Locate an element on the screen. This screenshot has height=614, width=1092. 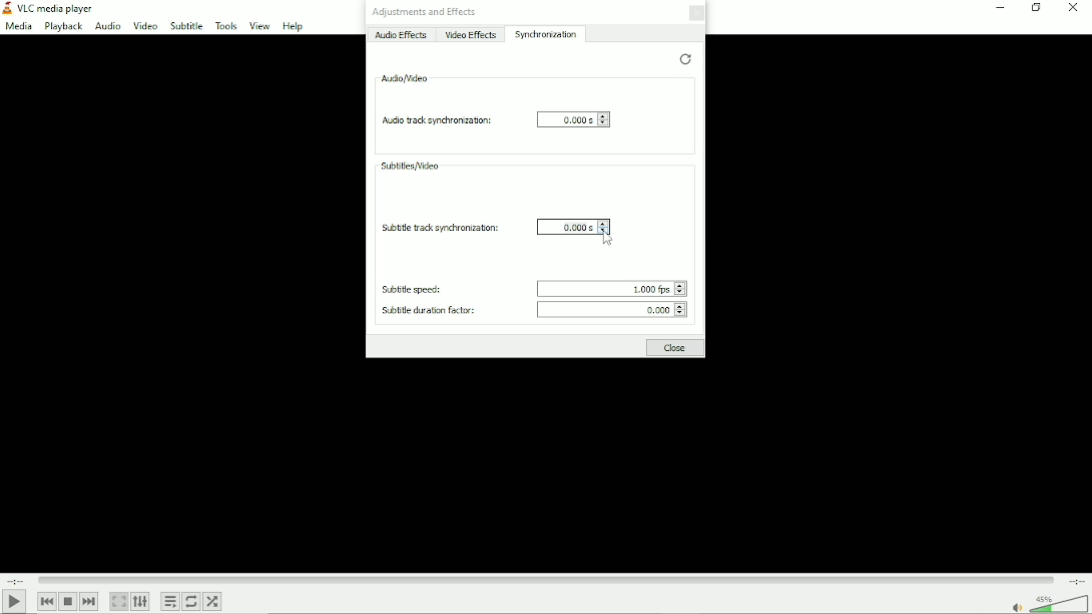
Video is located at coordinates (145, 27).